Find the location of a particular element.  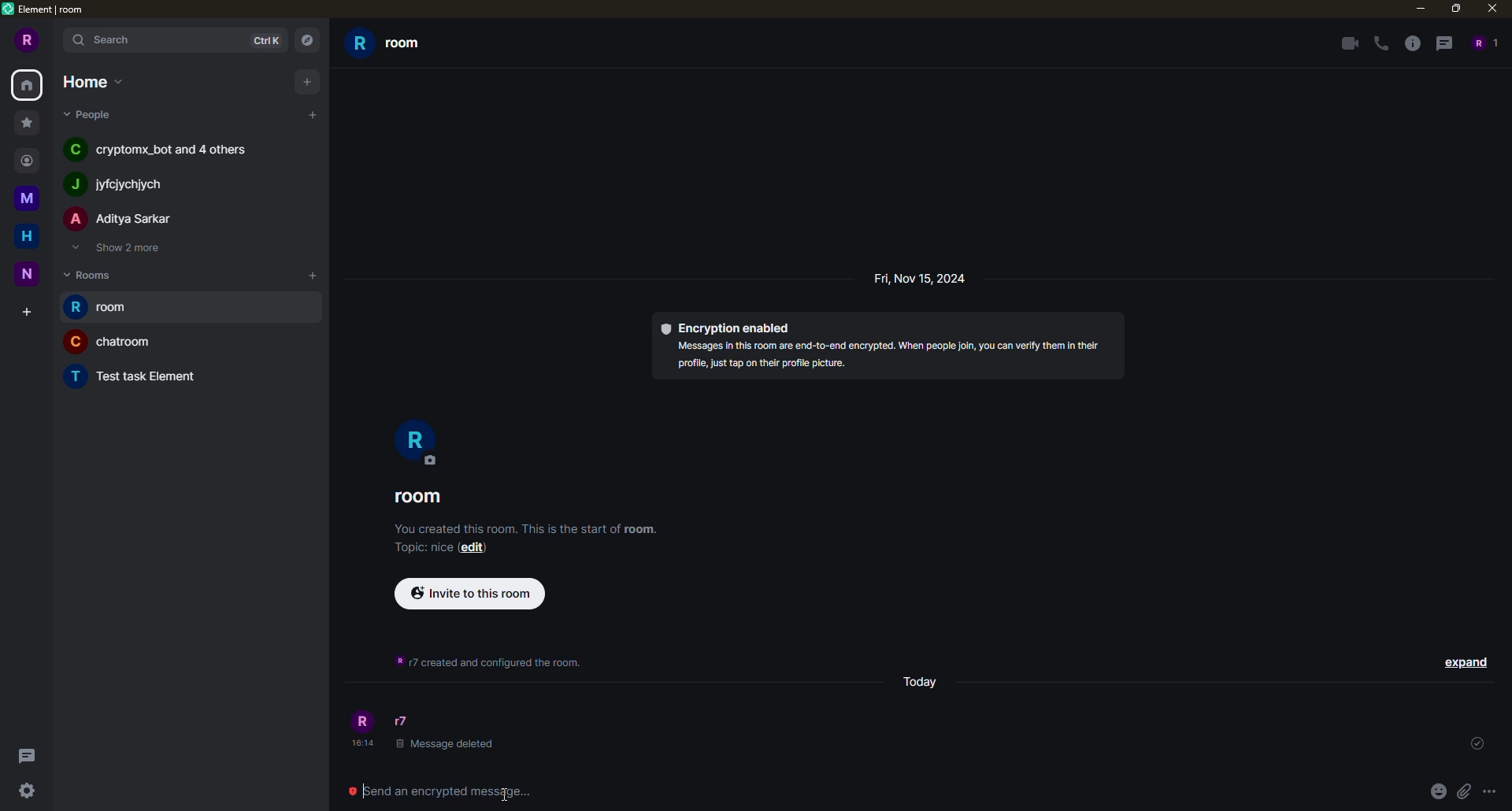

edit is located at coordinates (472, 547).